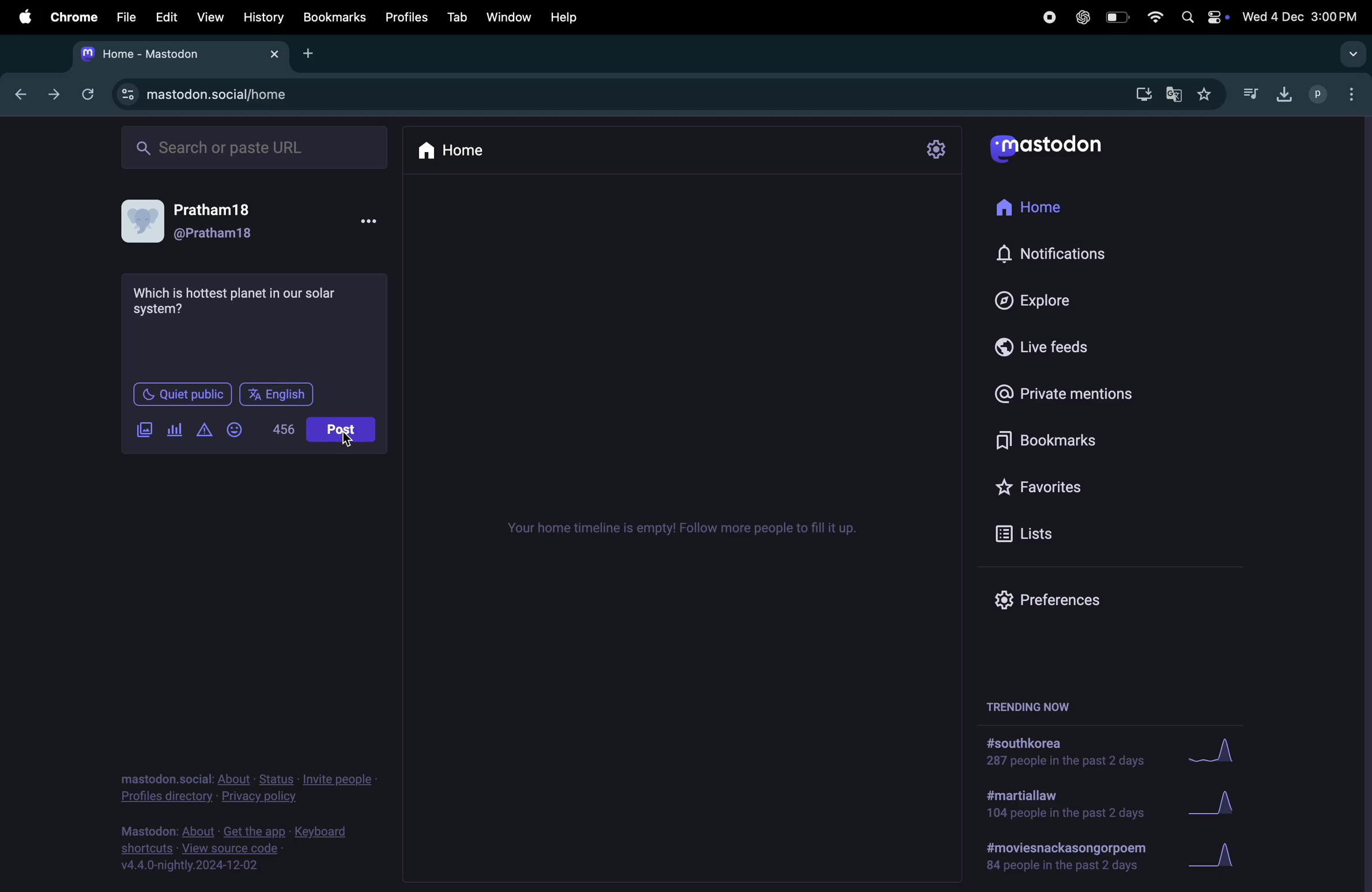  I want to click on settings, so click(937, 150).